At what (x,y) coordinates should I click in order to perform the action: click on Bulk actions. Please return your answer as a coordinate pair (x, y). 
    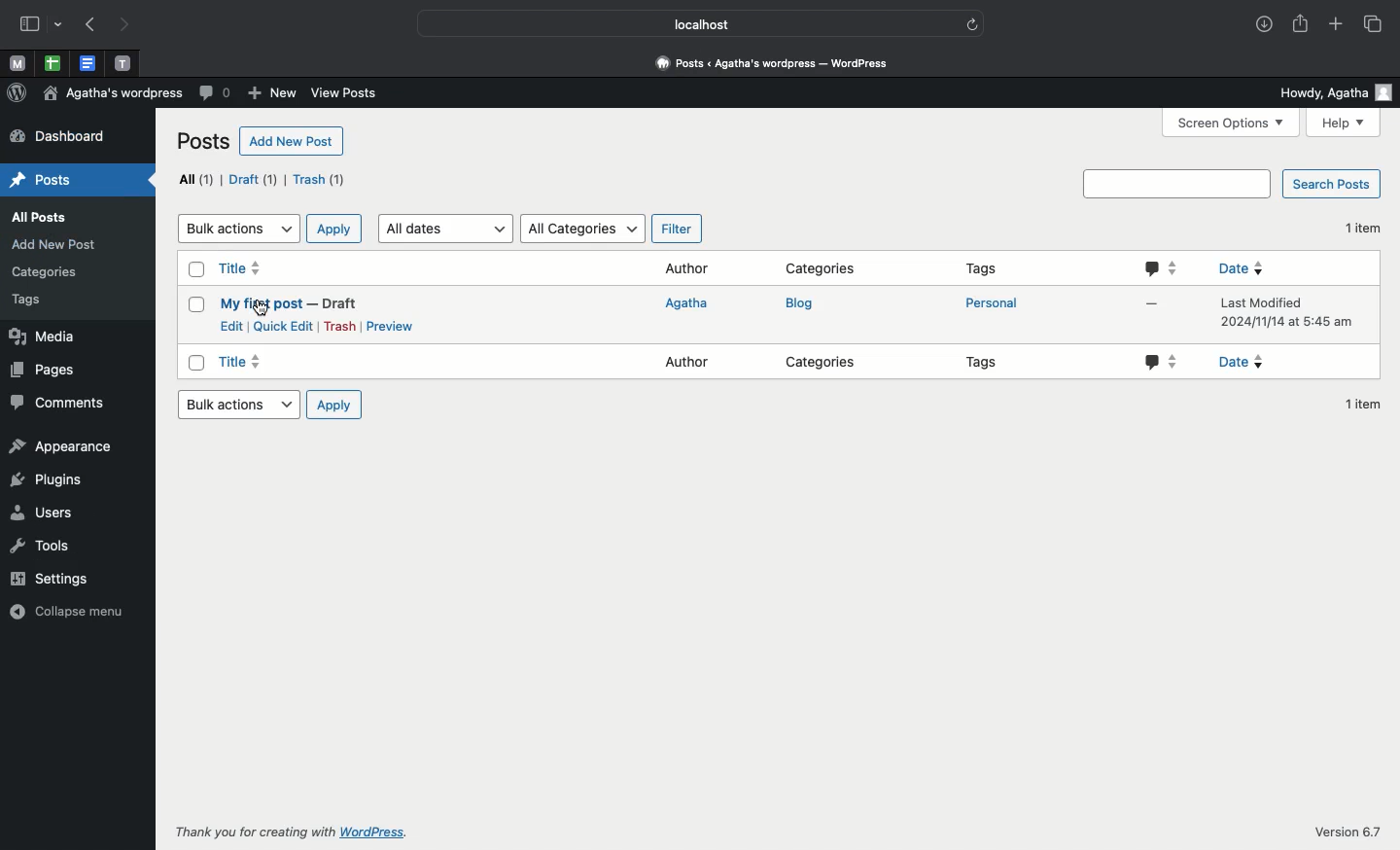
    Looking at the image, I should click on (235, 227).